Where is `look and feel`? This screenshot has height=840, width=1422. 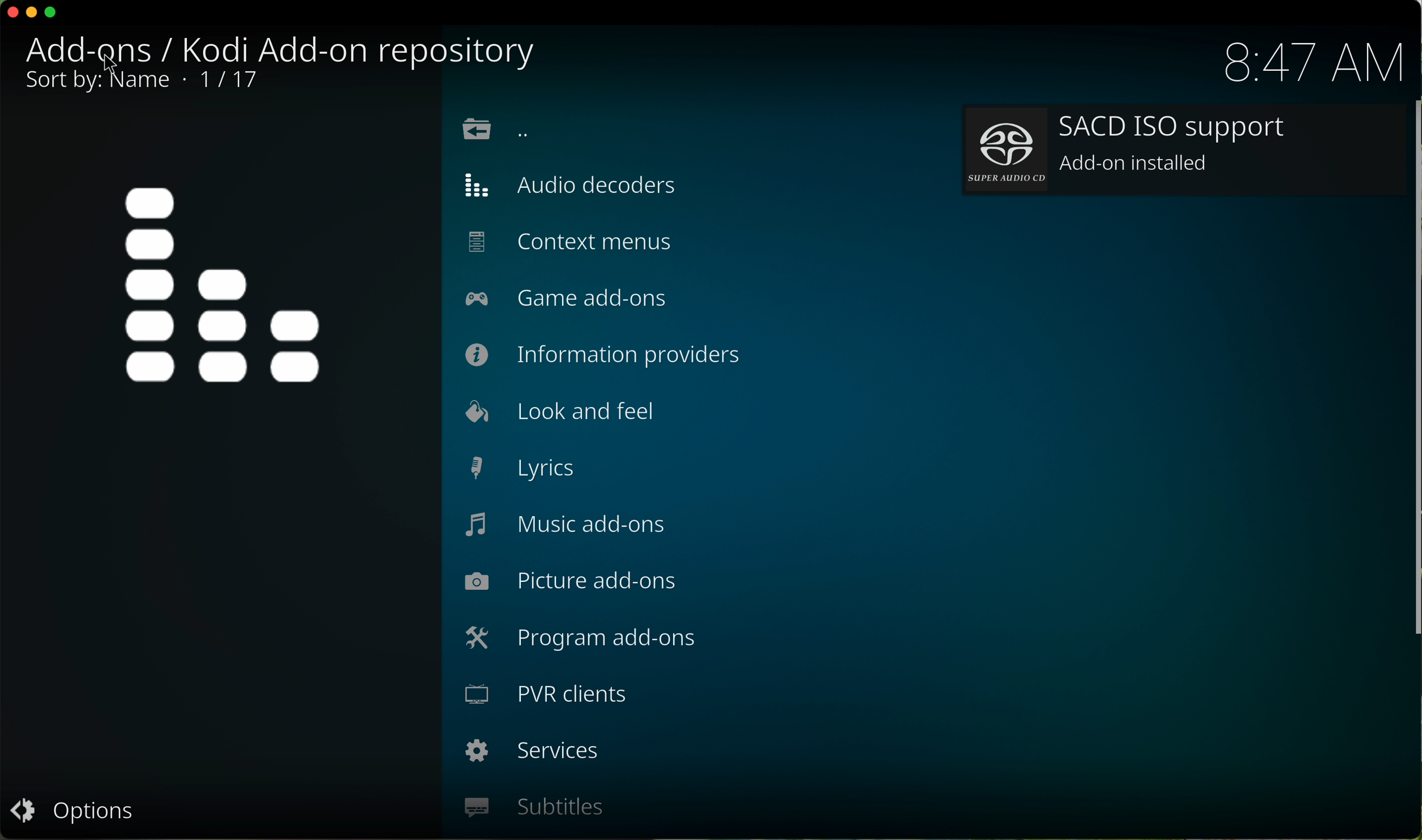
look and feel is located at coordinates (562, 412).